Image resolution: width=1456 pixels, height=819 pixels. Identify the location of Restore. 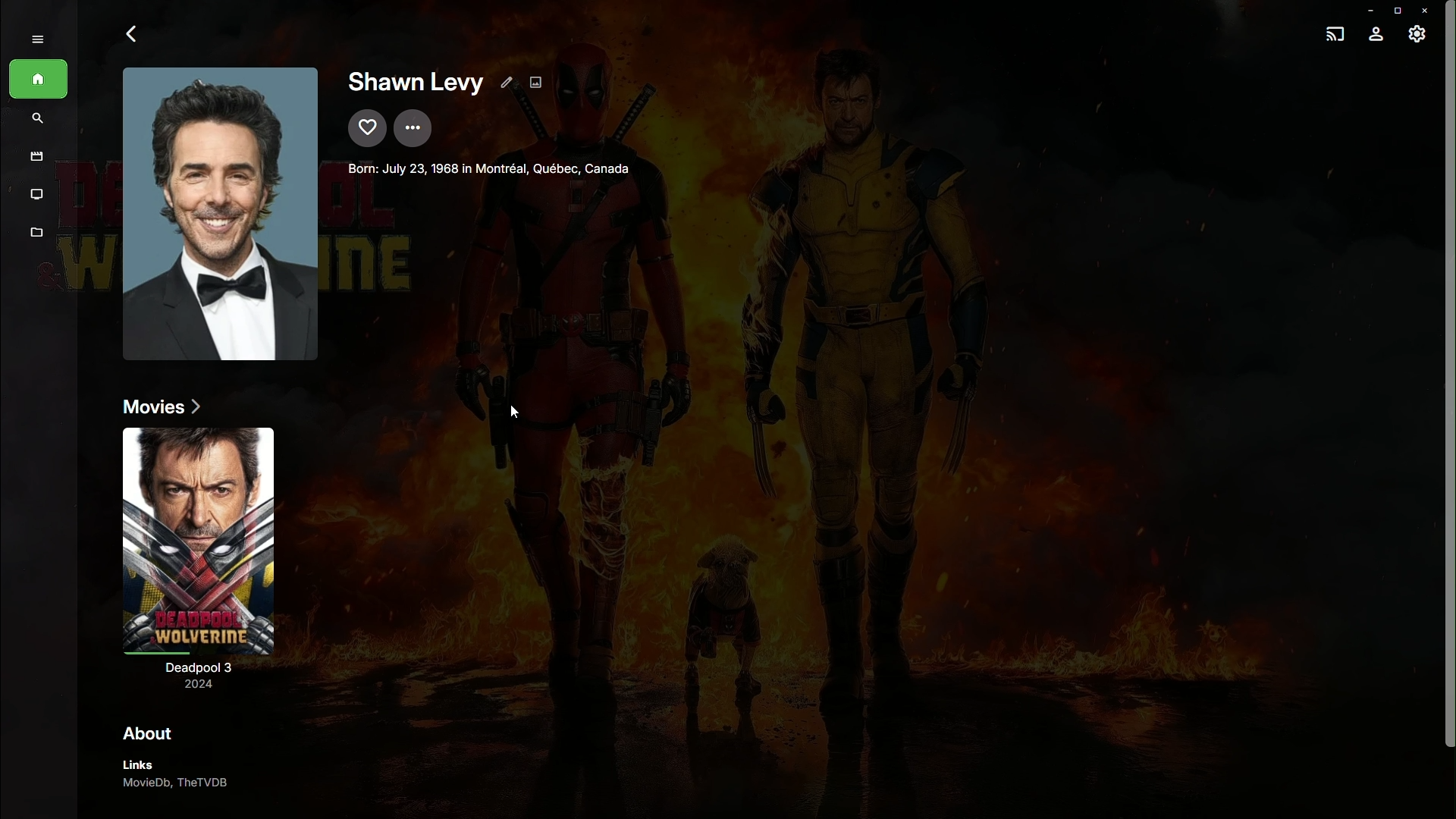
(1395, 9).